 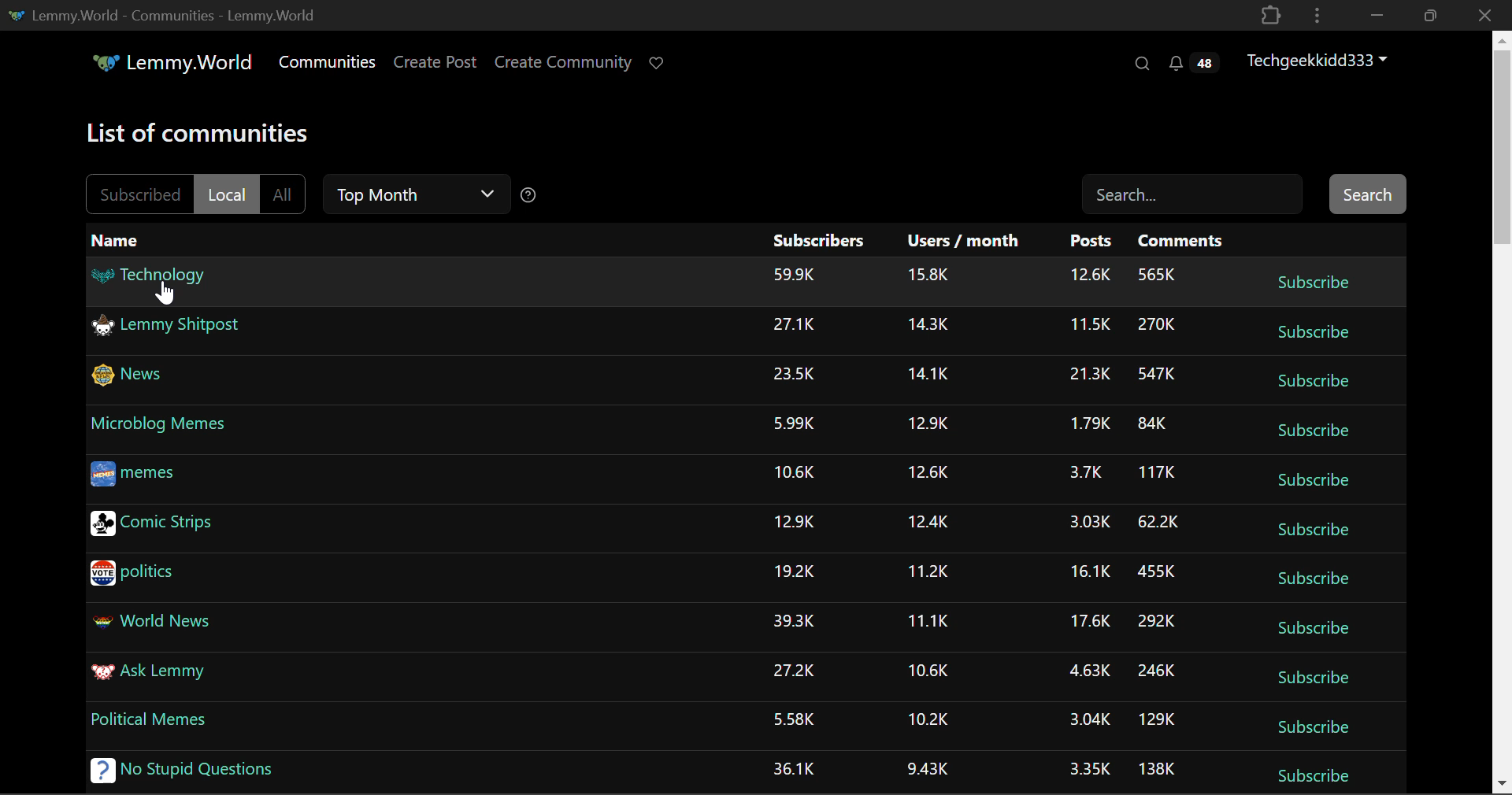 What do you see at coordinates (161, 424) in the screenshot?
I see `Microblog Memes` at bounding box center [161, 424].